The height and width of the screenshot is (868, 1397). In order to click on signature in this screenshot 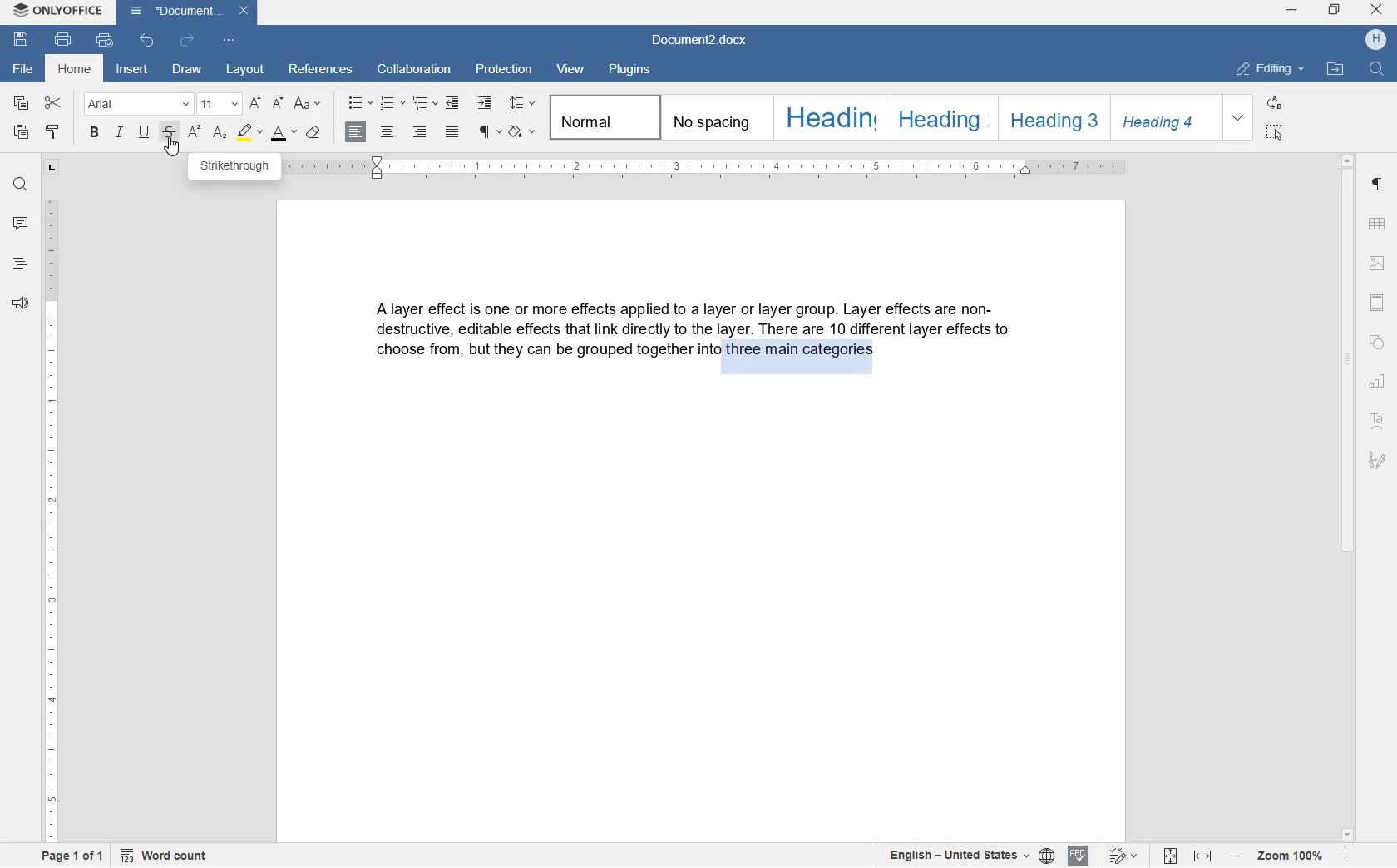, I will do `click(1378, 461)`.